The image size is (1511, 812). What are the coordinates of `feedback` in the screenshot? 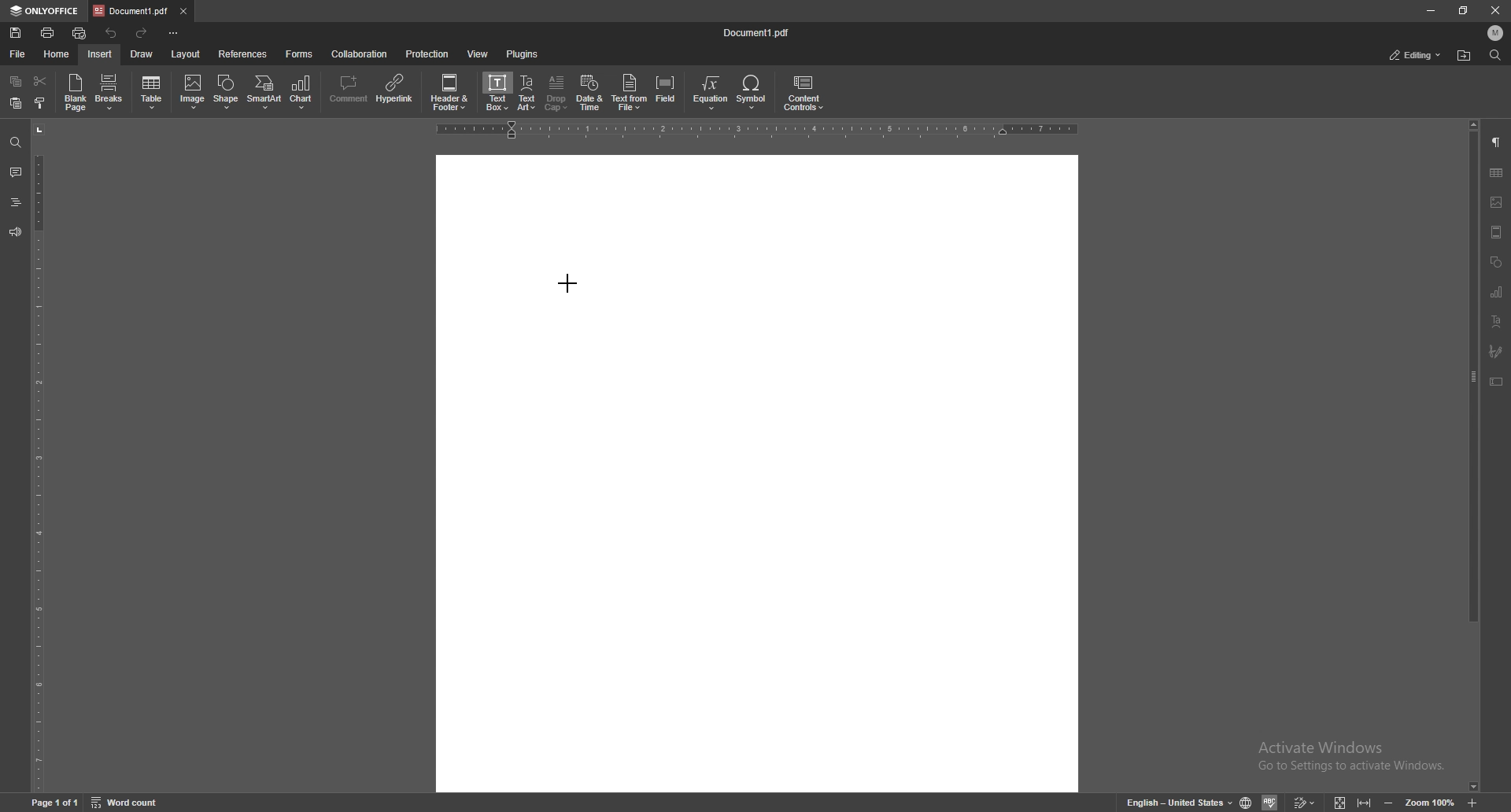 It's located at (15, 231).